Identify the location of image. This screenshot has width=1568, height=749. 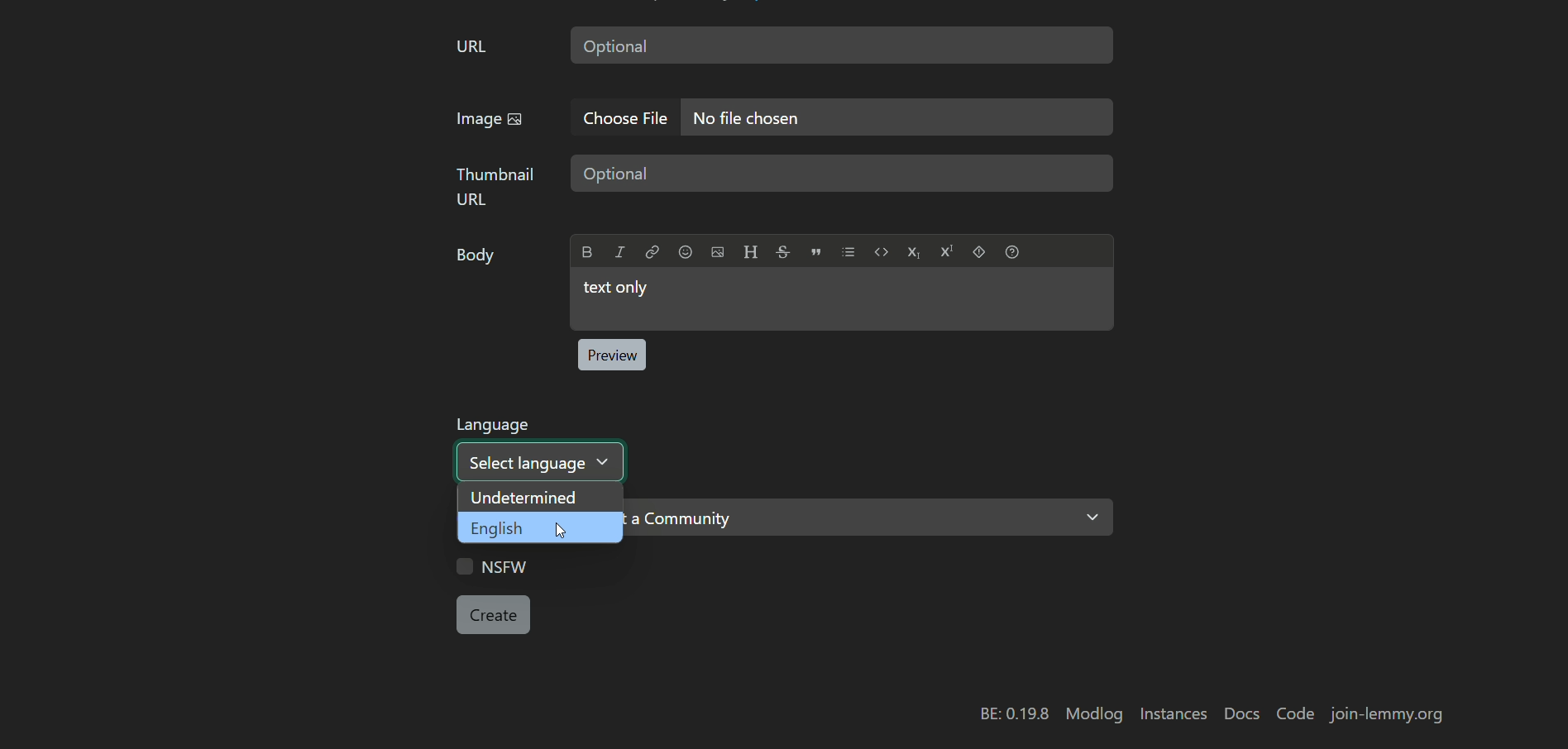
(490, 121).